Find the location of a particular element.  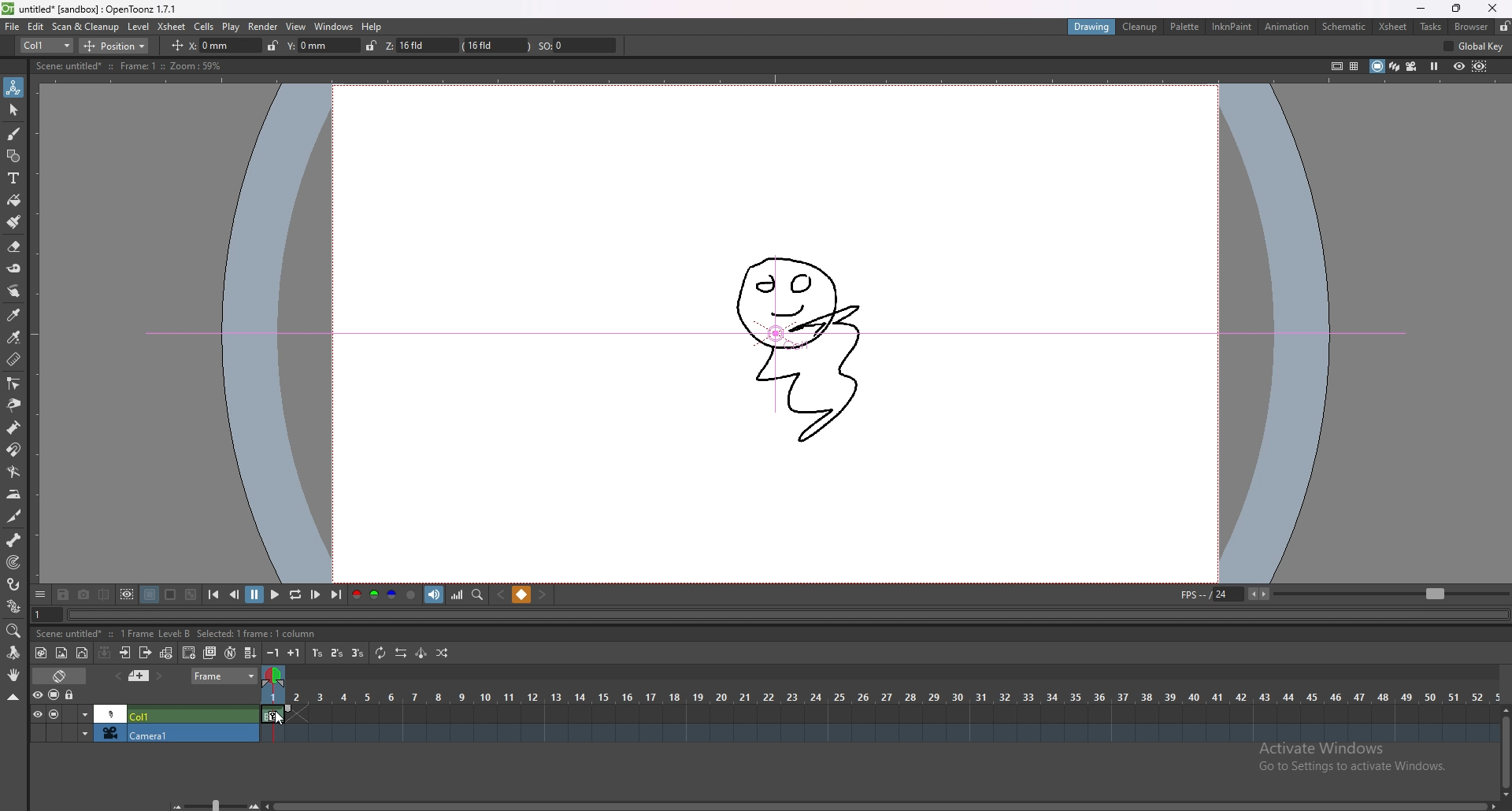

close is located at coordinates (1491, 9).